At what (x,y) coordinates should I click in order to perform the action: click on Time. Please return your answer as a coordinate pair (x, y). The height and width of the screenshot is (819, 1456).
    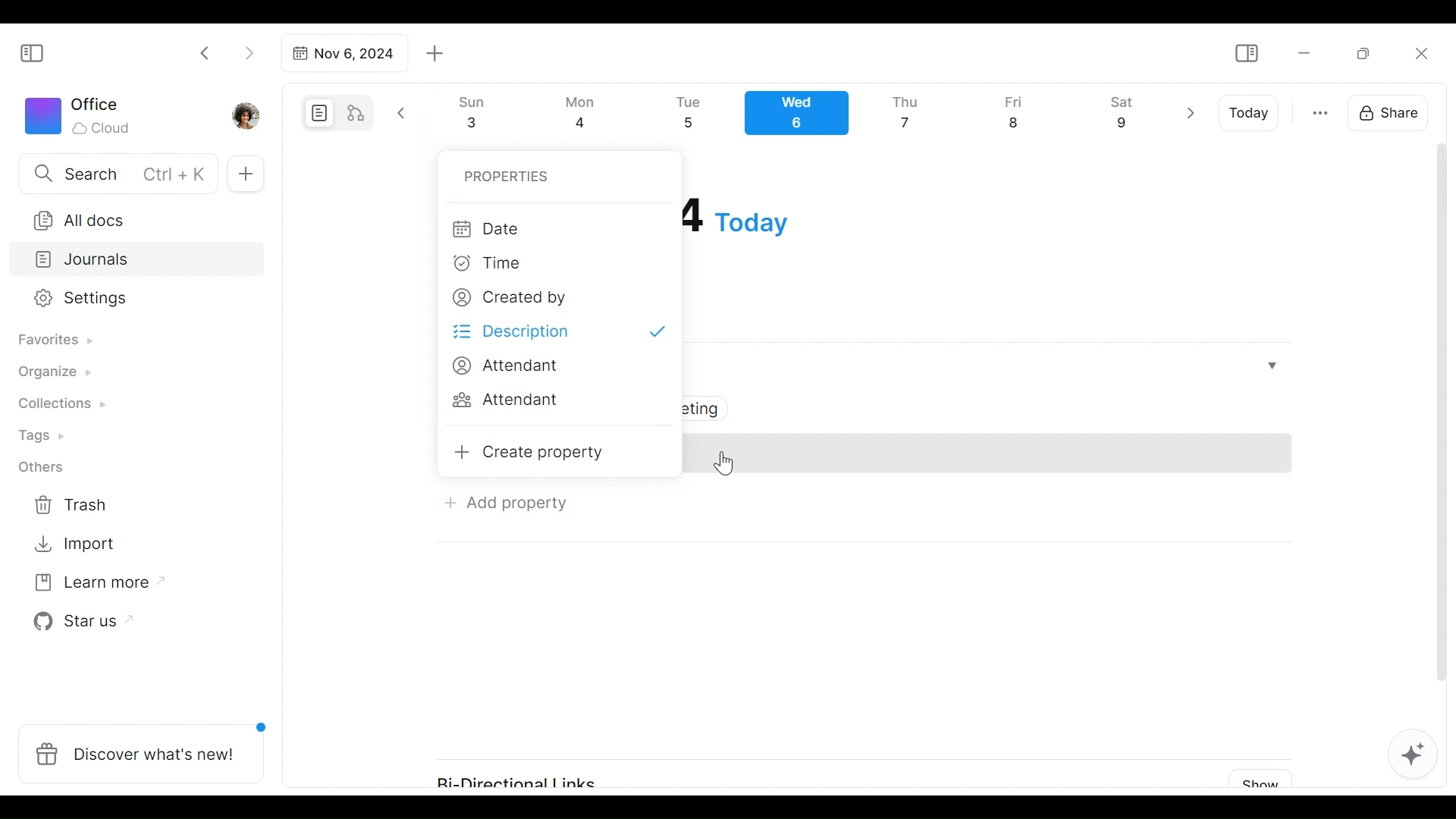
    Looking at the image, I should click on (494, 261).